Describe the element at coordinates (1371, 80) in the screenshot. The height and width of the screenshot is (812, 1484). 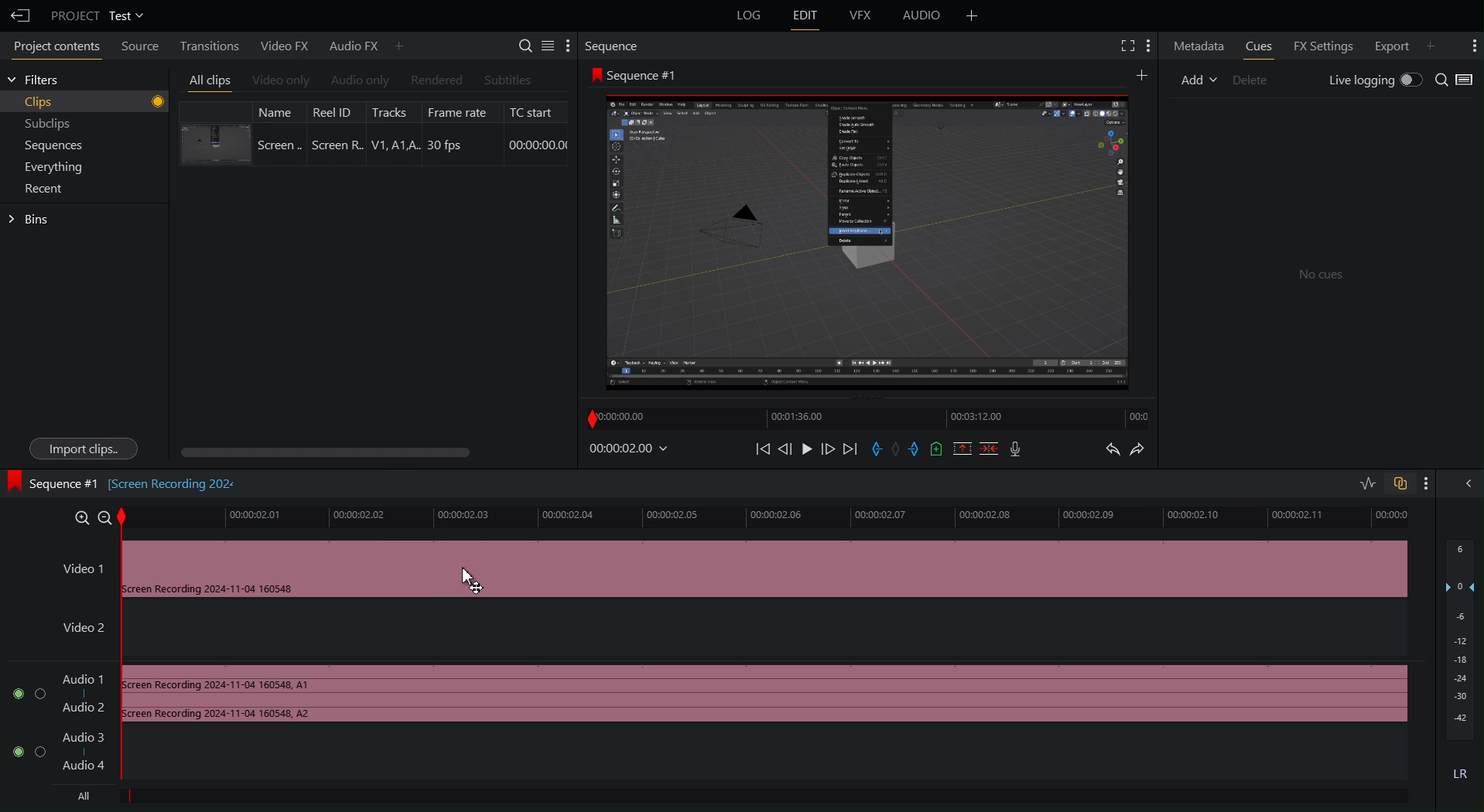
I see `Live Logging` at that location.